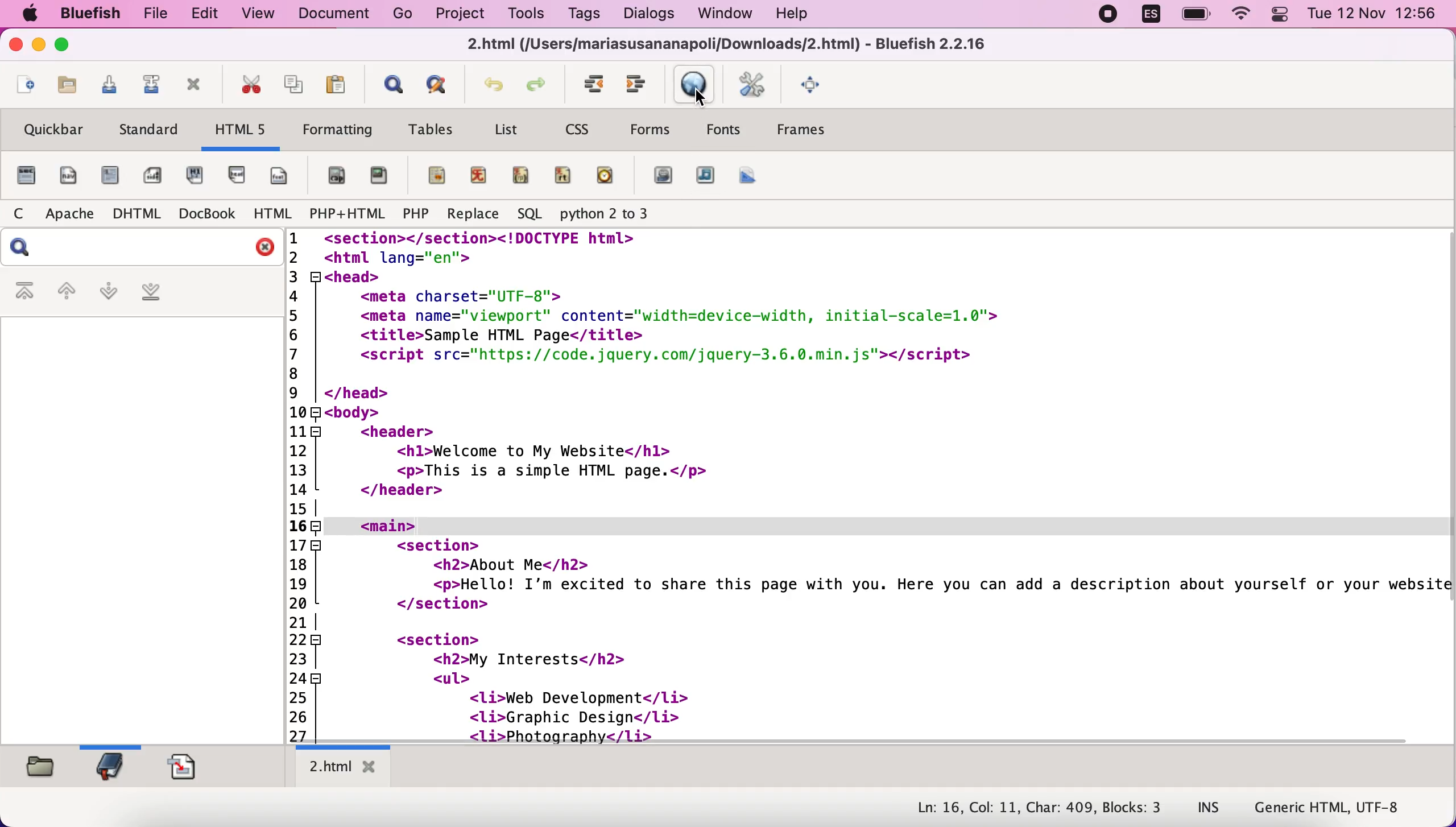 The width and height of the screenshot is (1456, 827). What do you see at coordinates (584, 14) in the screenshot?
I see `tags` at bounding box center [584, 14].